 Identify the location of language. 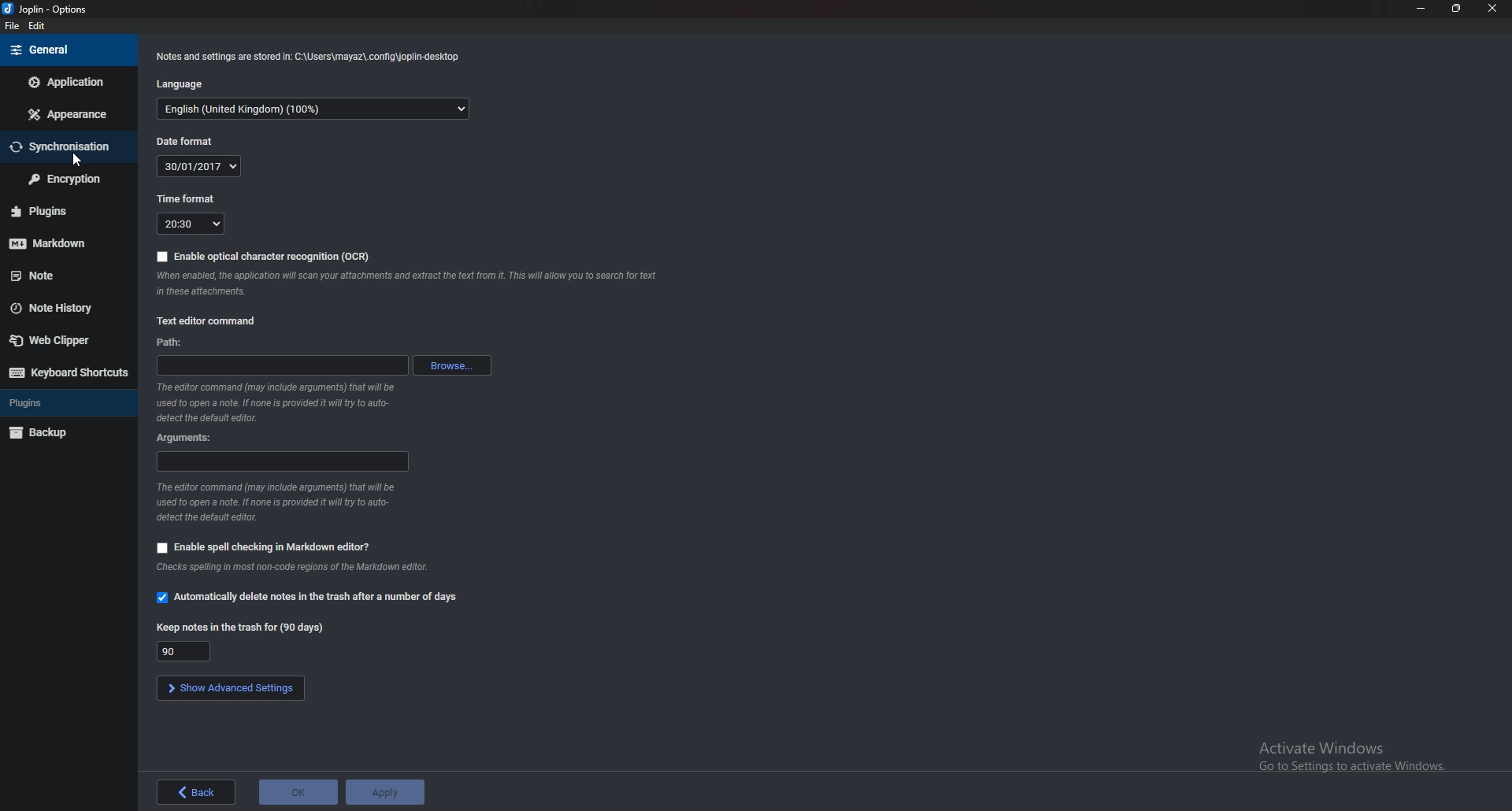
(182, 84).